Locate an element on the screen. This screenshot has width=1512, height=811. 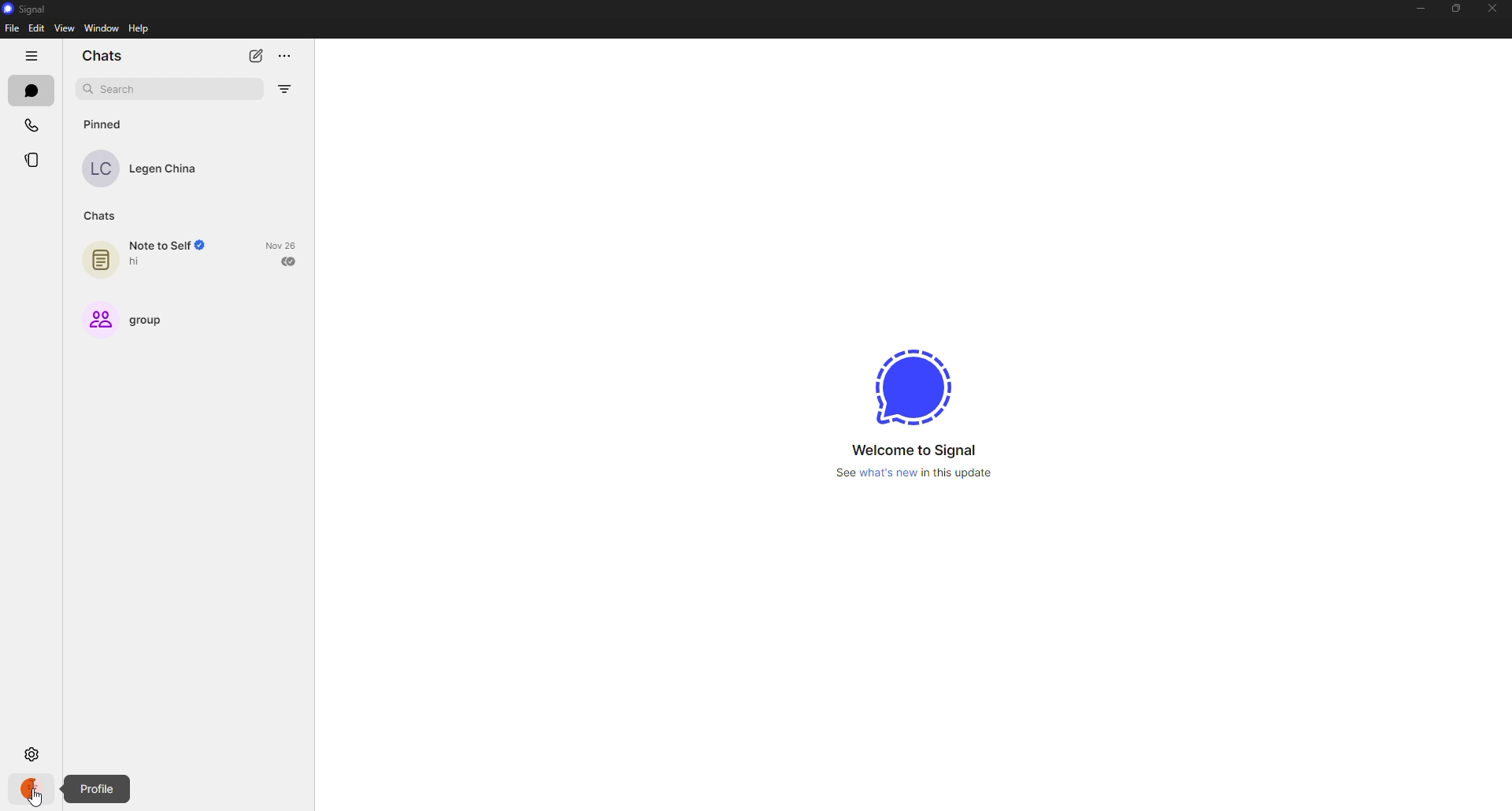
stories is located at coordinates (33, 159).